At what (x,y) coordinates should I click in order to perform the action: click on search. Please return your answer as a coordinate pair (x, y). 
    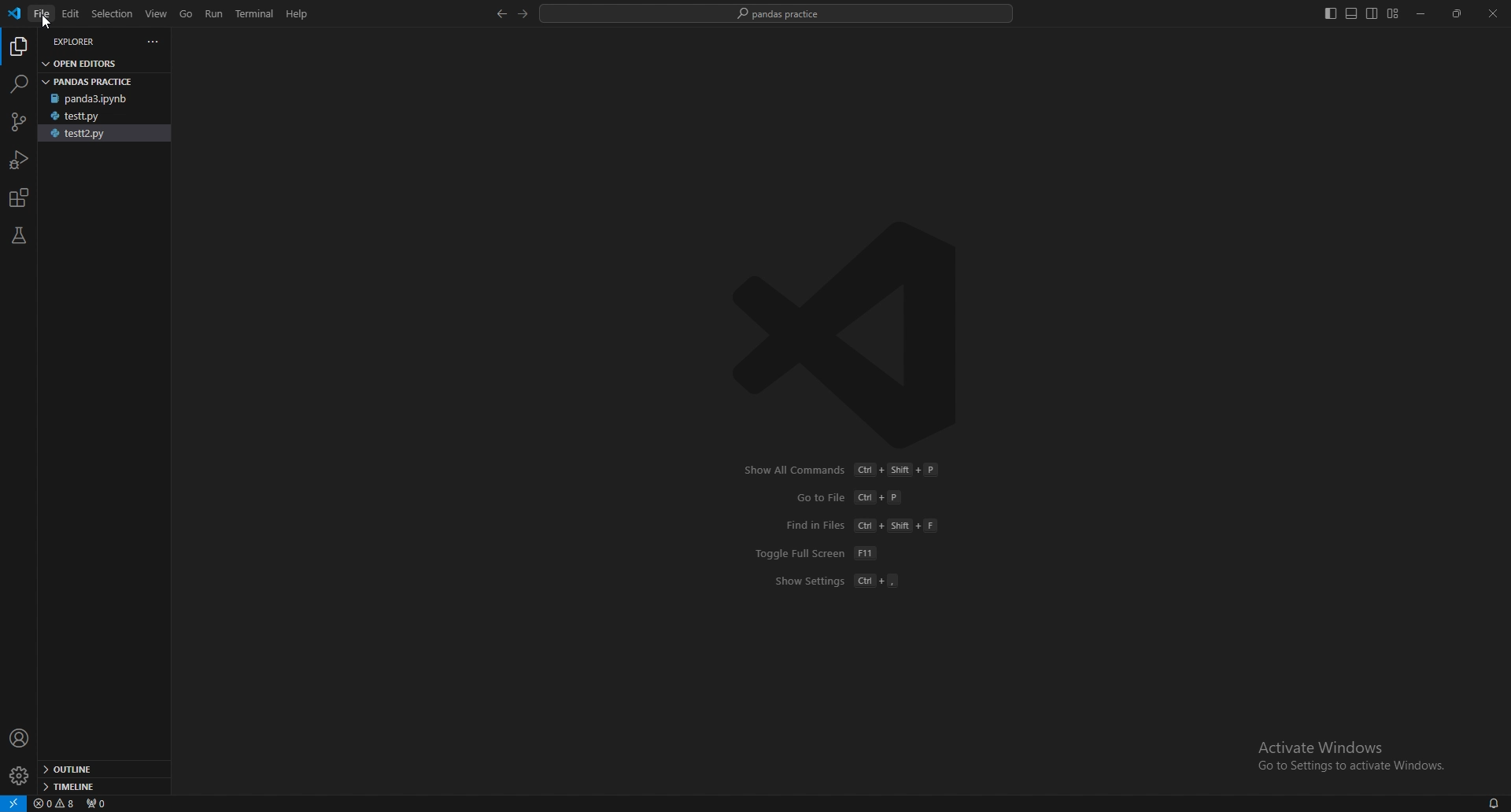
    Looking at the image, I should click on (17, 84).